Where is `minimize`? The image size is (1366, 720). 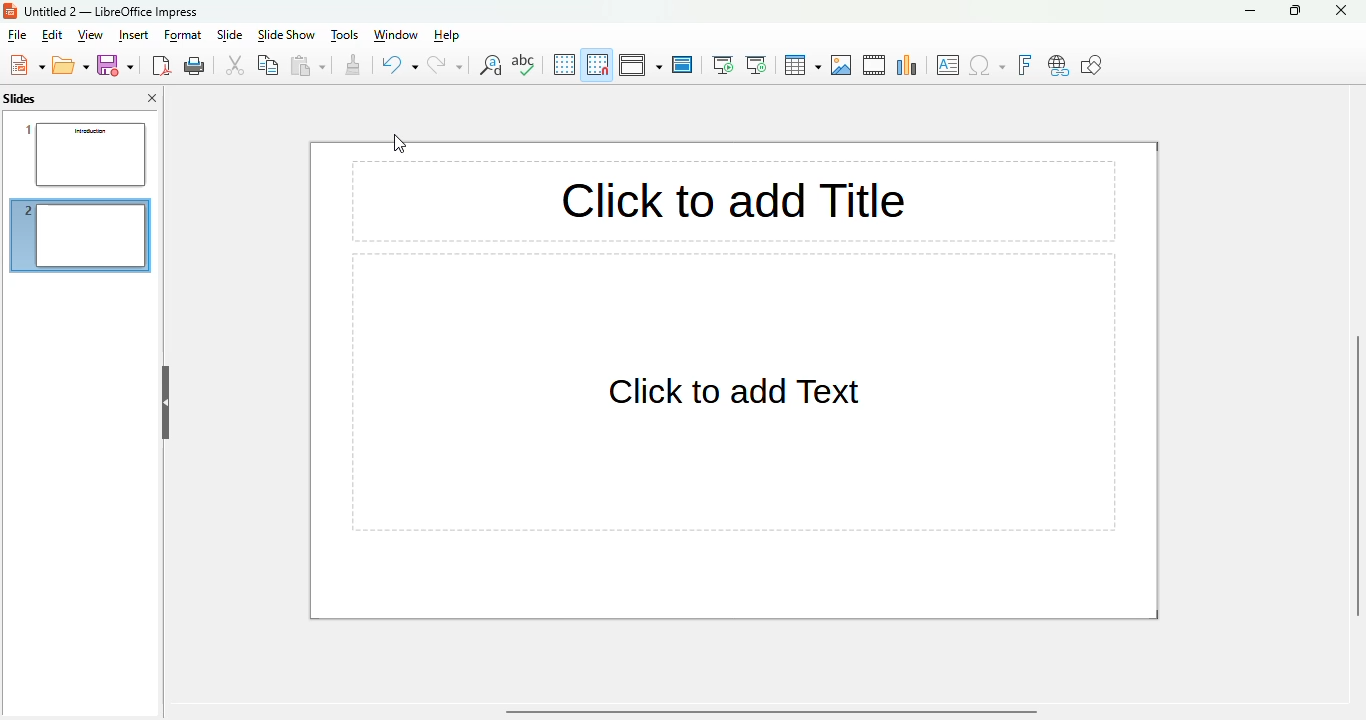 minimize is located at coordinates (1252, 10).